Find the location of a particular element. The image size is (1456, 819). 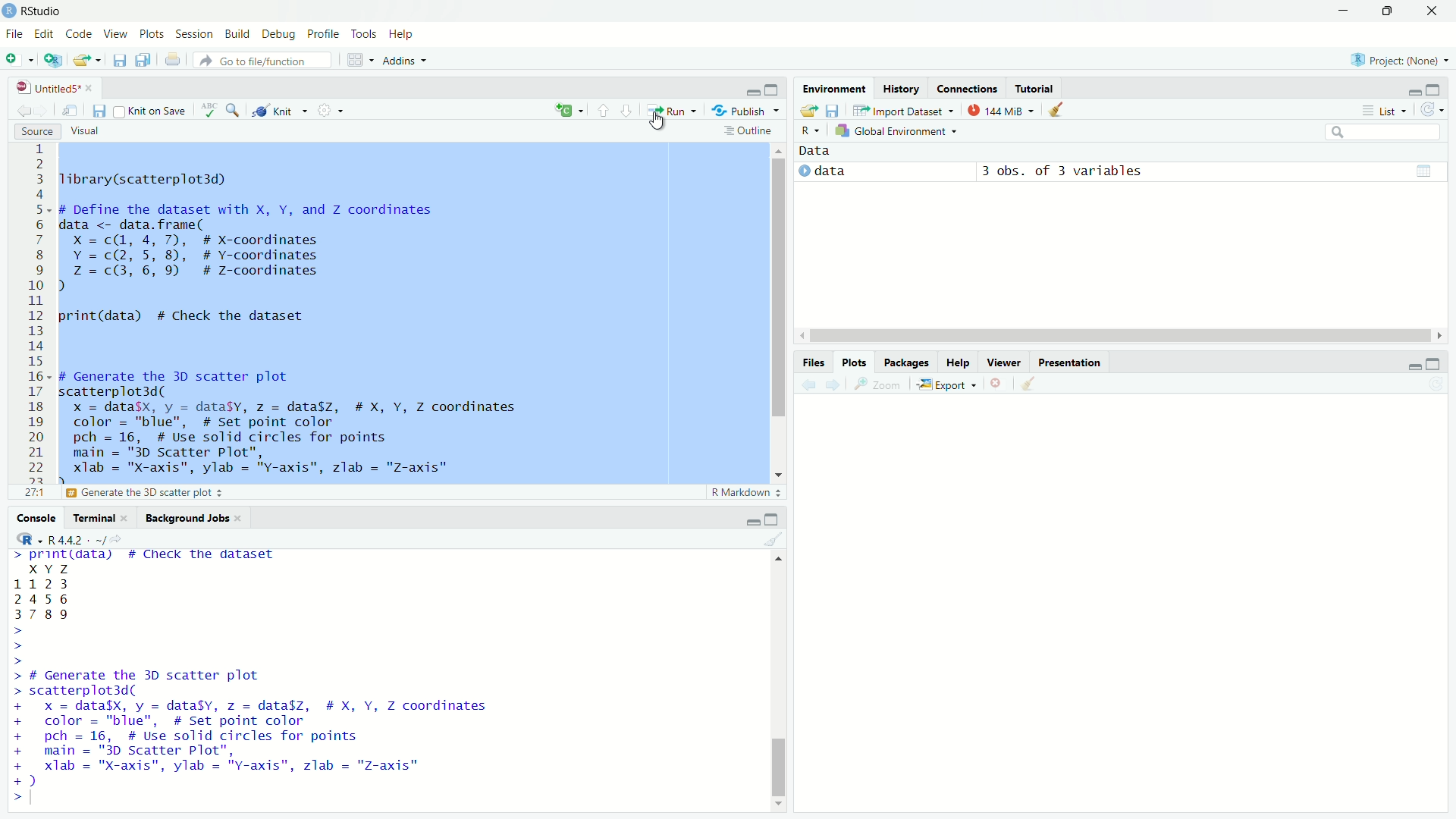

session is located at coordinates (193, 33).